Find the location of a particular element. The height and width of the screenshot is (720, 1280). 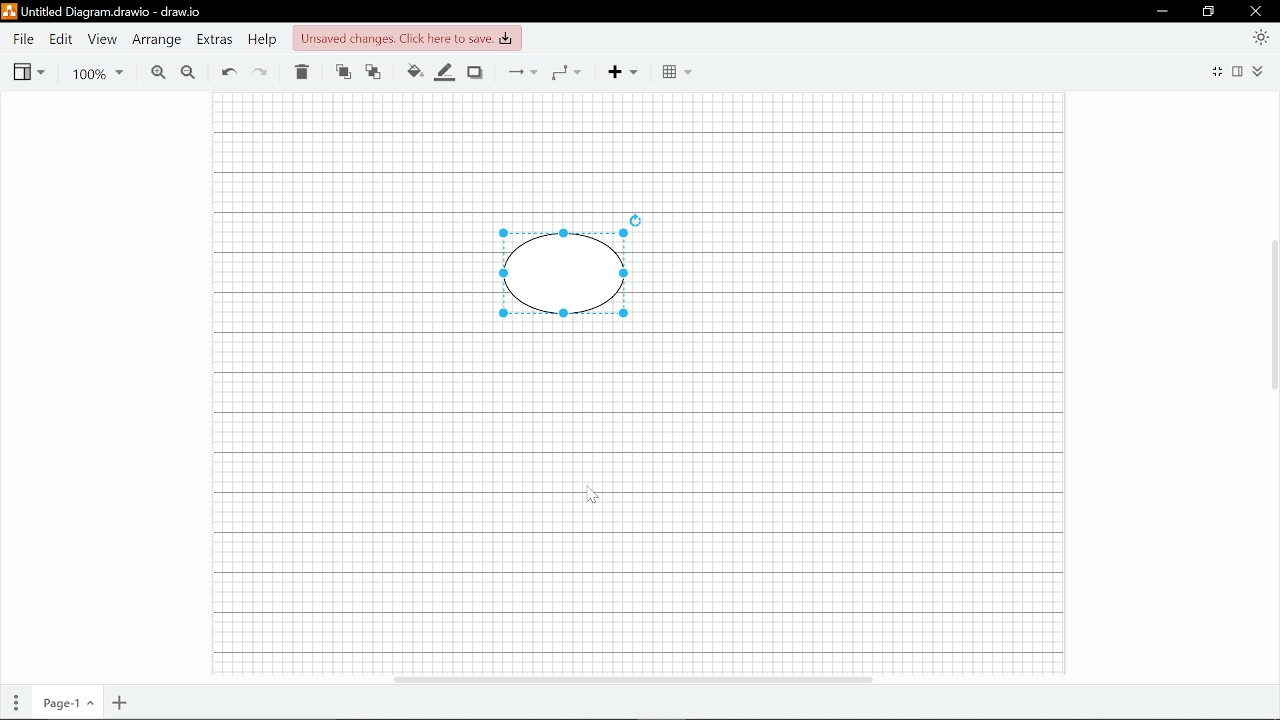

Delete is located at coordinates (301, 73).